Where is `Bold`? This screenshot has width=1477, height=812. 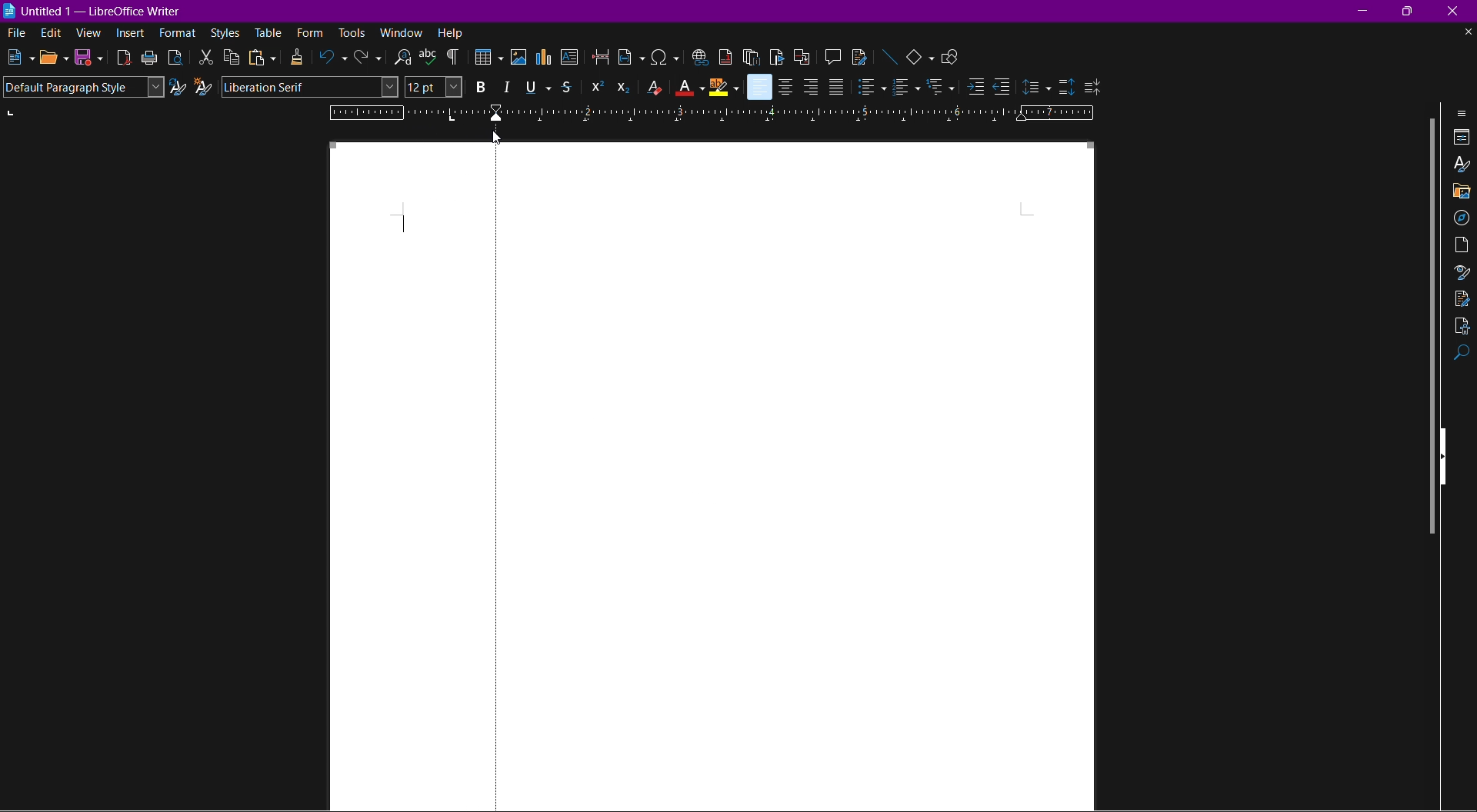 Bold is located at coordinates (478, 87).